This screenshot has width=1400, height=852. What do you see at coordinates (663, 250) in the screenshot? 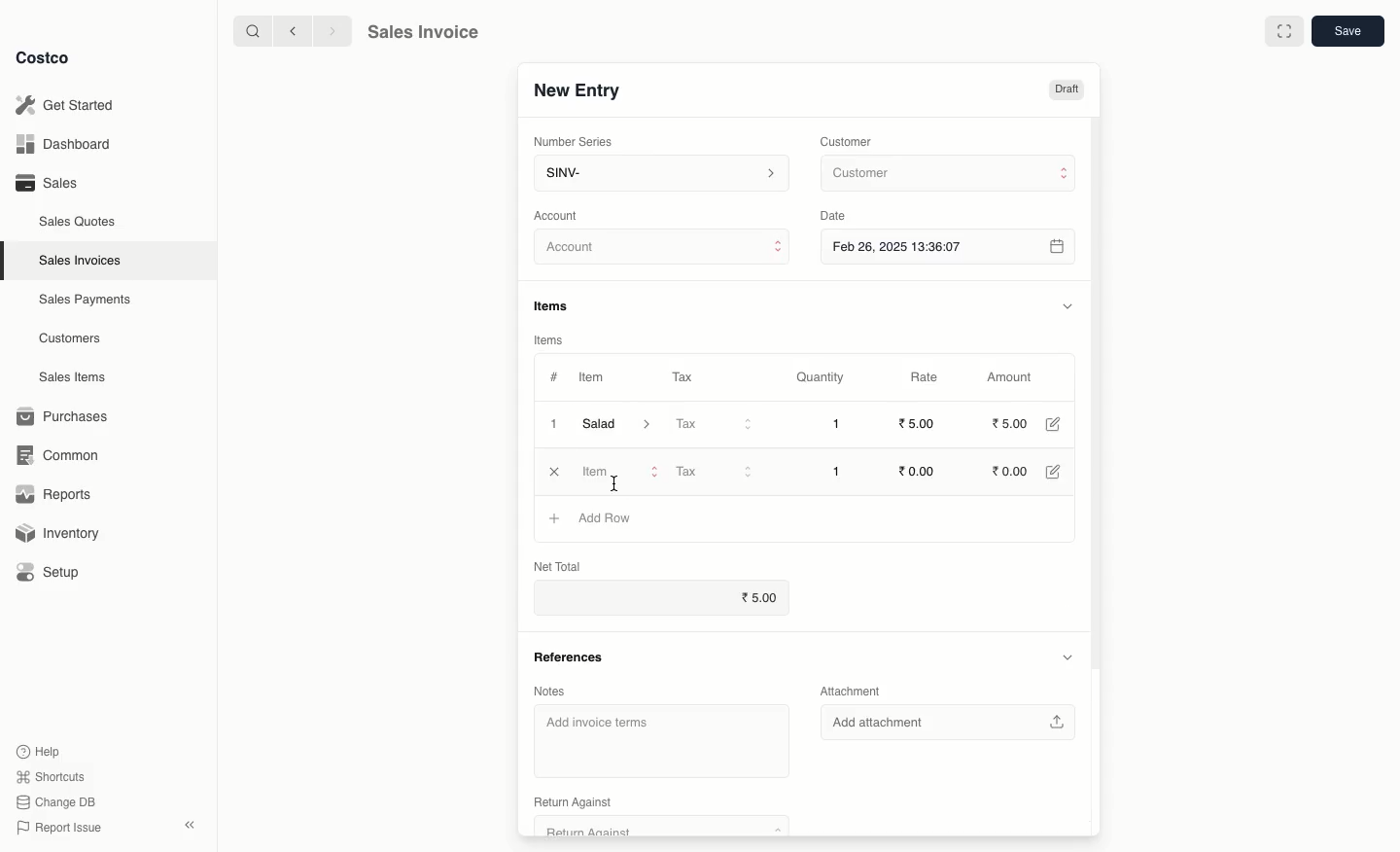
I see `Account` at bounding box center [663, 250].